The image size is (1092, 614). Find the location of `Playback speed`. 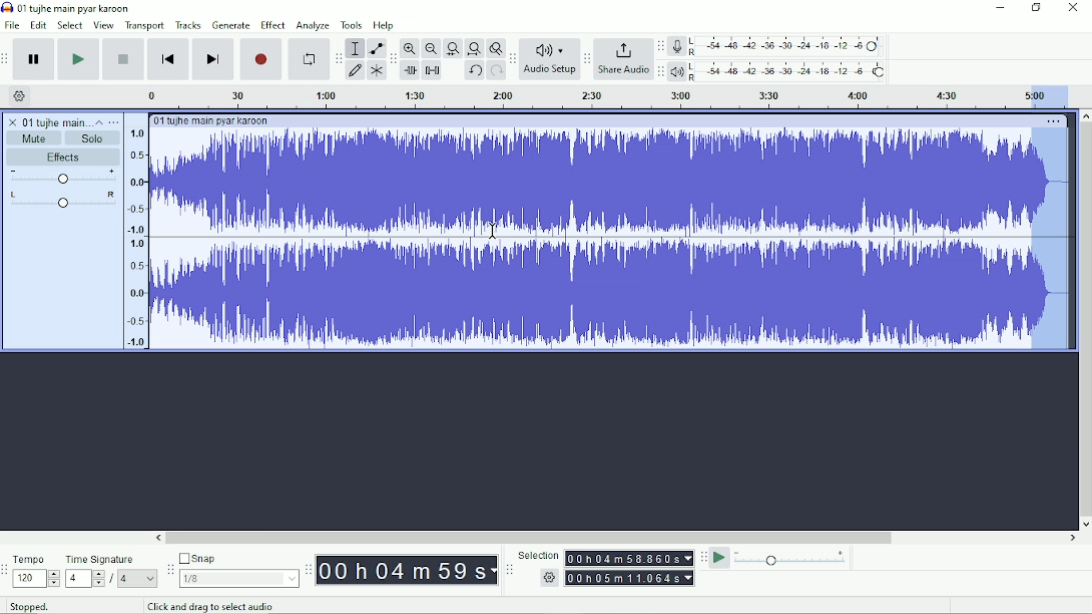

Playback speed is located at coordinates (794, 558).